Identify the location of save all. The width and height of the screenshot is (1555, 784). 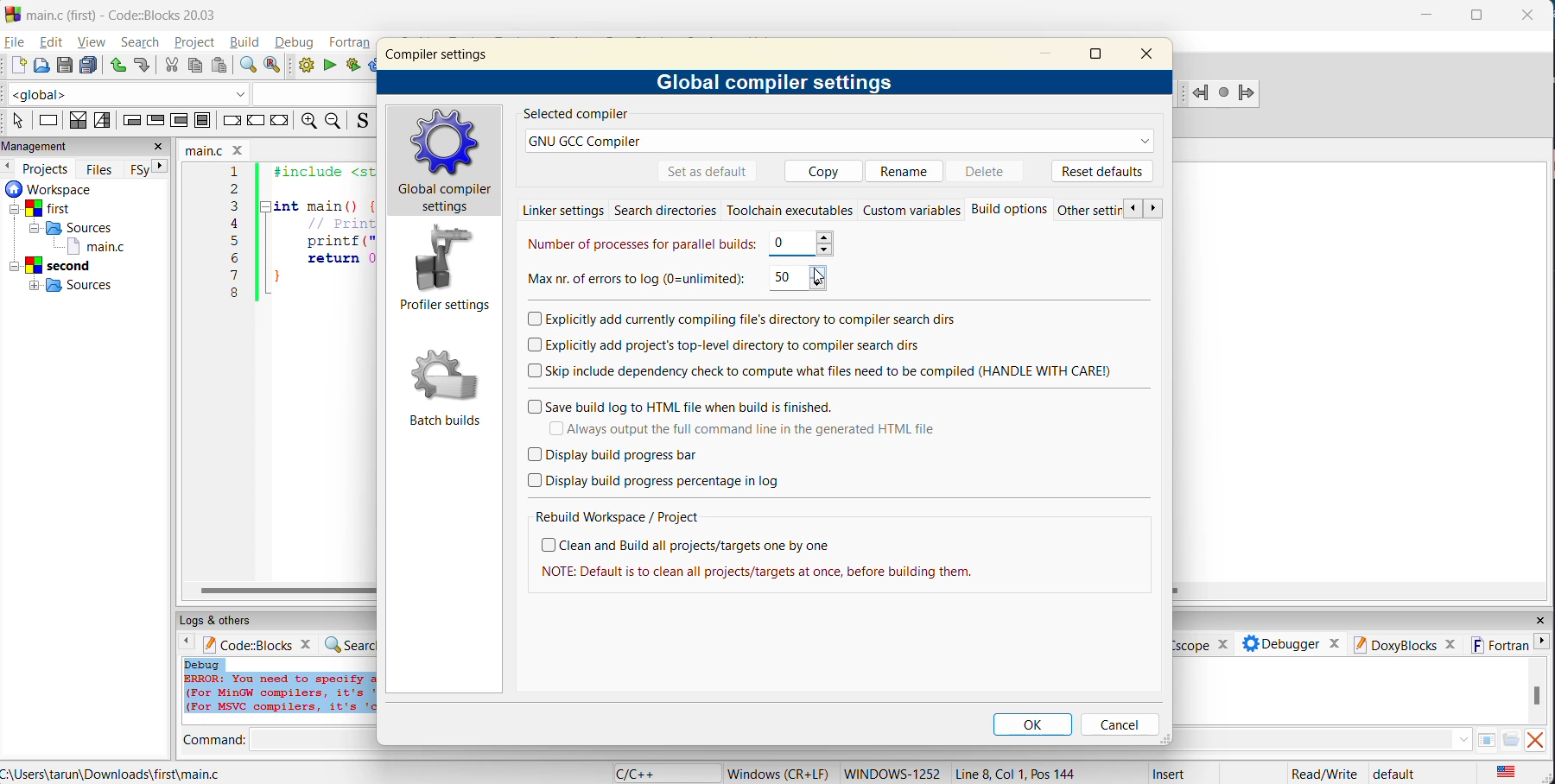
(90, 66).